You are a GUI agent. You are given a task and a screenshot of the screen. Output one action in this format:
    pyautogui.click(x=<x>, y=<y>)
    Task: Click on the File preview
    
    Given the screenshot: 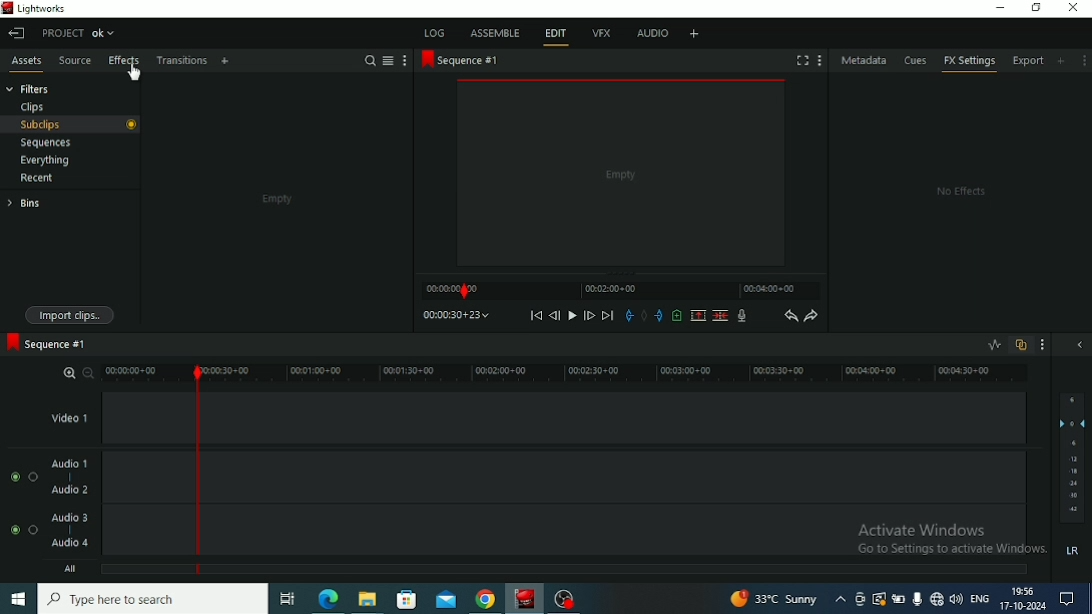 What is the action you would take?
    pyautogui.click(x=621, y=173)
    